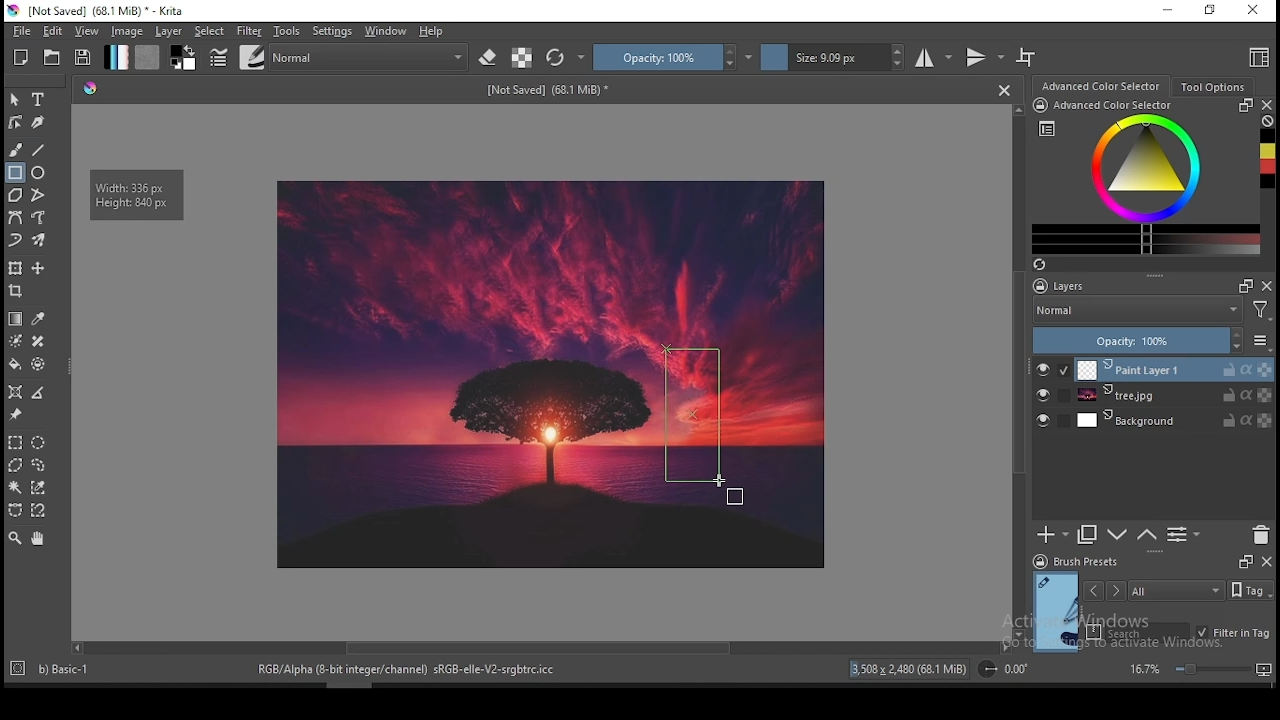  What do you see at coordinates (984, 58) in the screenshot?
I see `vertical mirror tool` at bounding box center [984, 58].